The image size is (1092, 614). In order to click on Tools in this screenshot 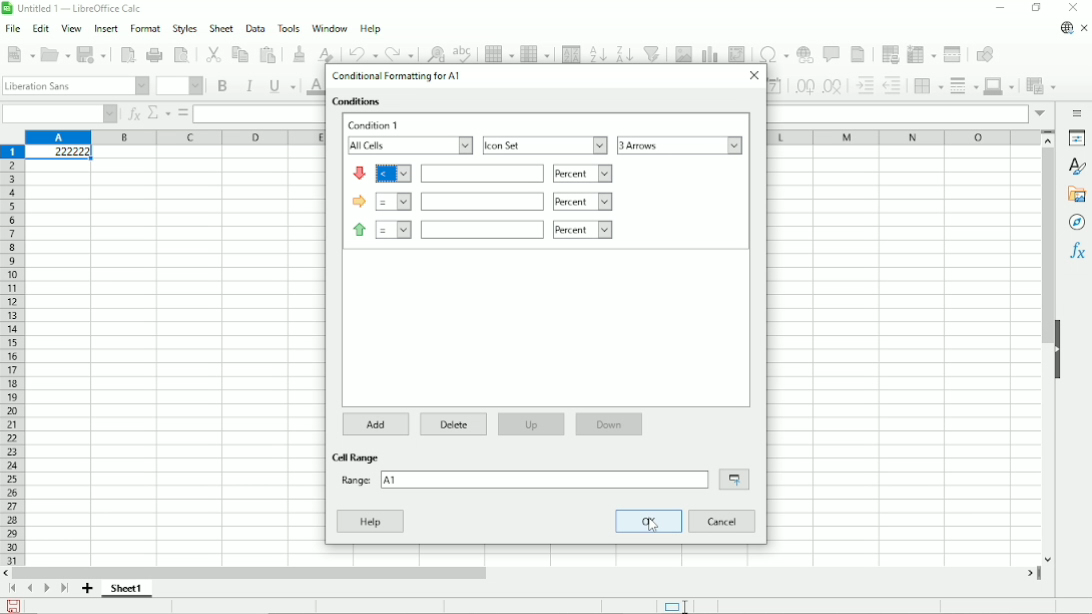, I will do `click(287, 27)`.